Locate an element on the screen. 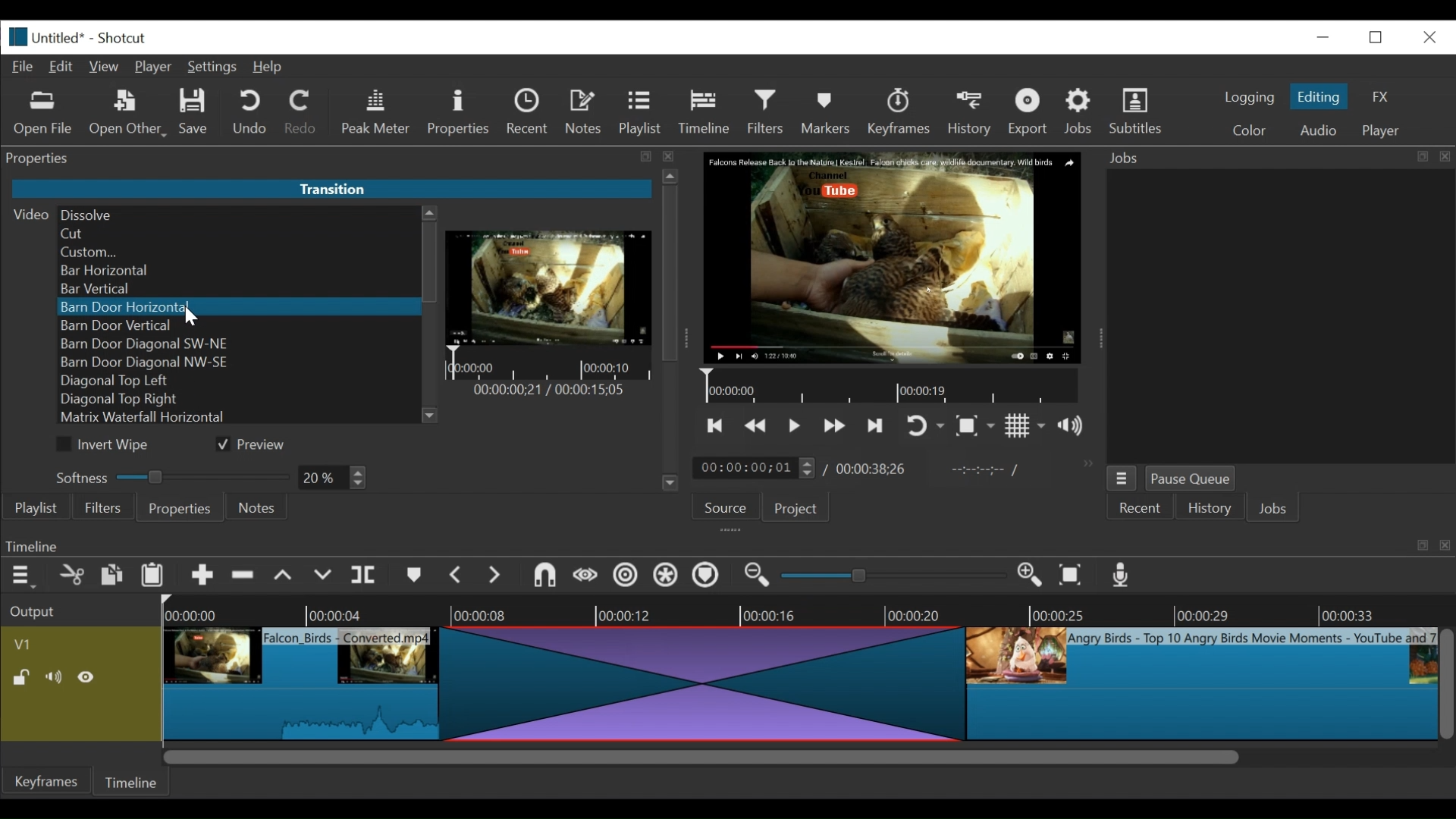  Timeline is located at coordinates (894, 387).